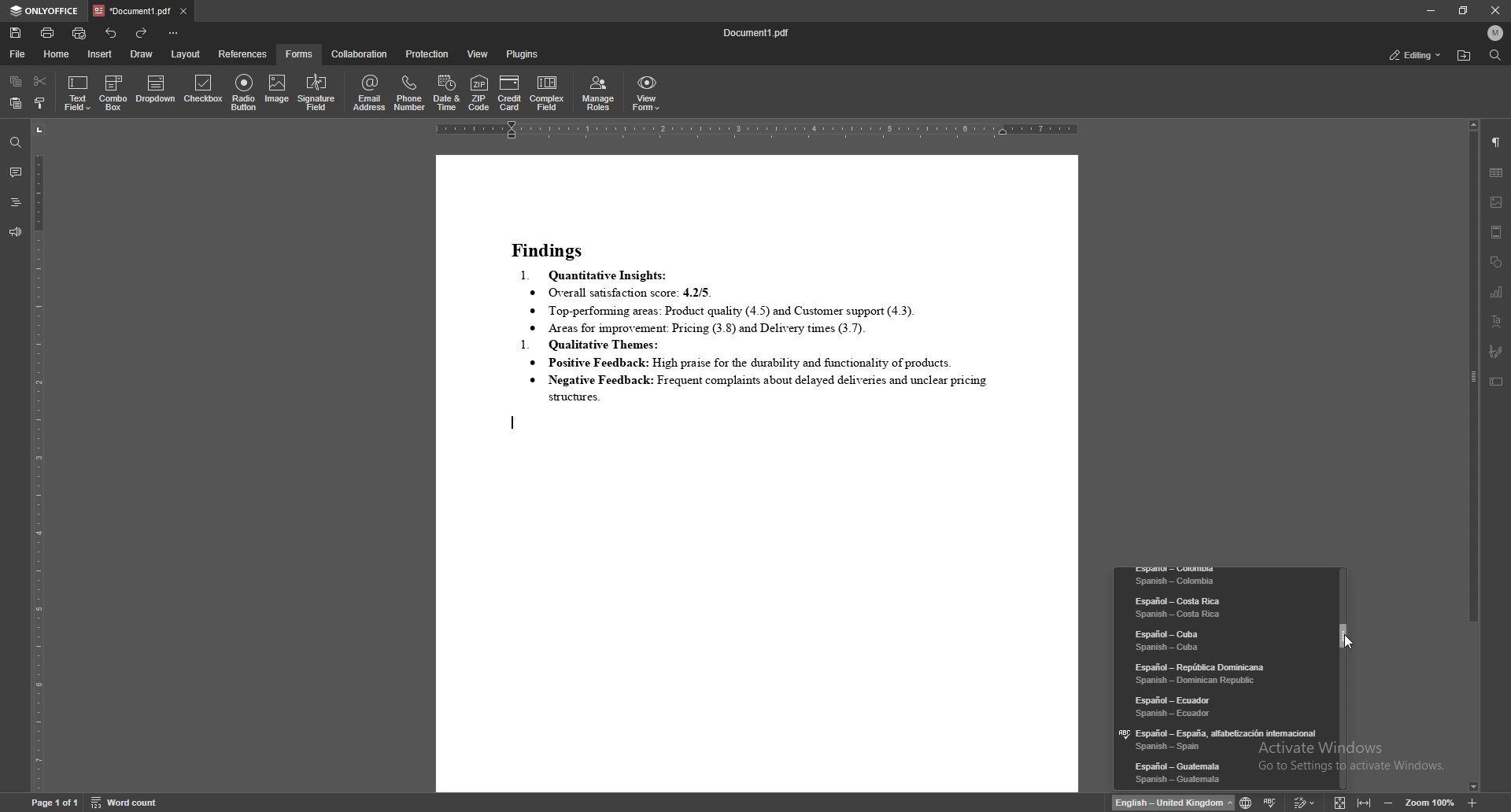 This screenshot has height=812, width=1511. Describe the element at coordinates (756, 474) in the screenshot. I see `document` at that location.